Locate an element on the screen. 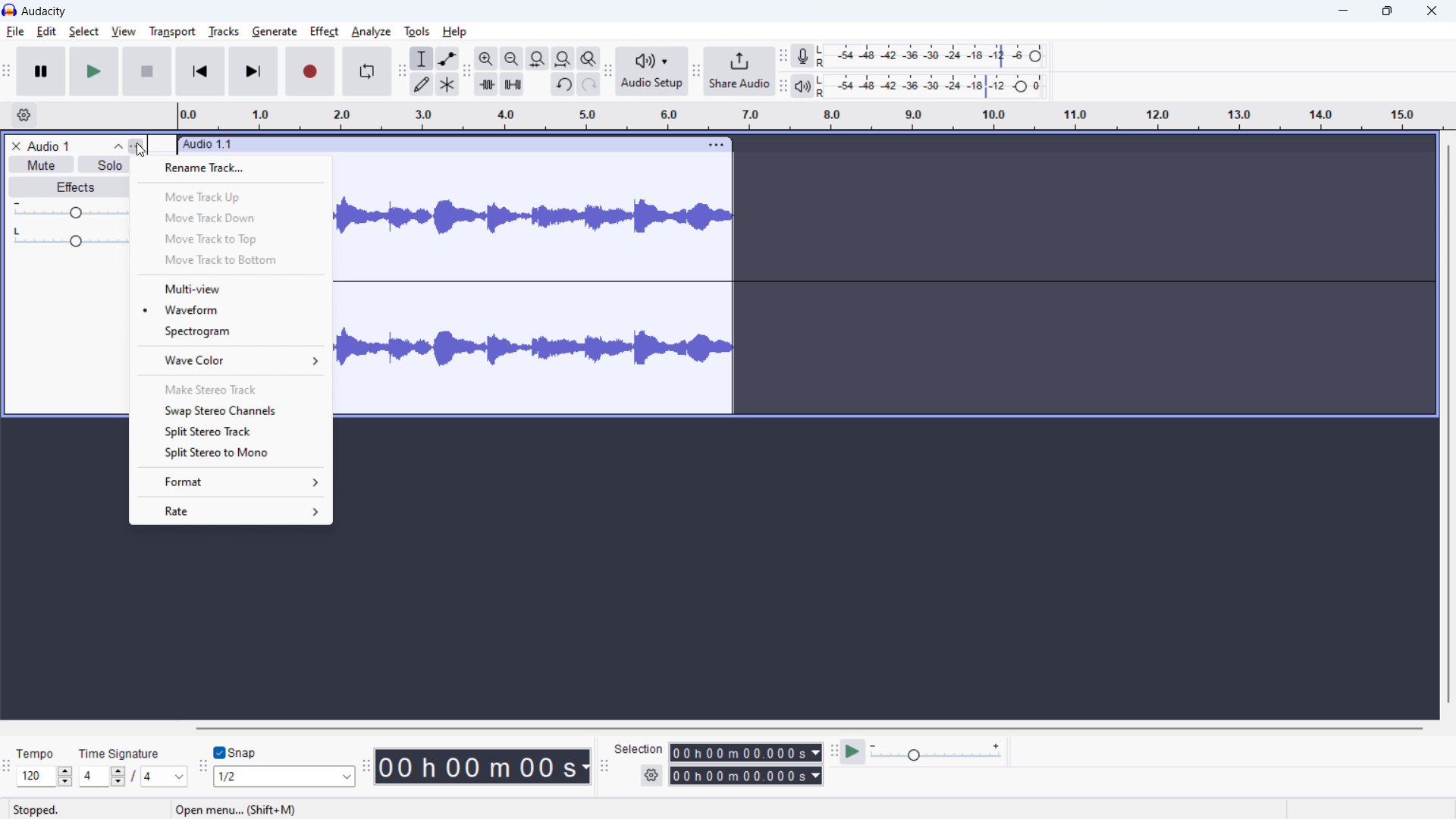 The height and width of the screenshot is (819, 1456). enable loop is located at coordinates (366, 71).